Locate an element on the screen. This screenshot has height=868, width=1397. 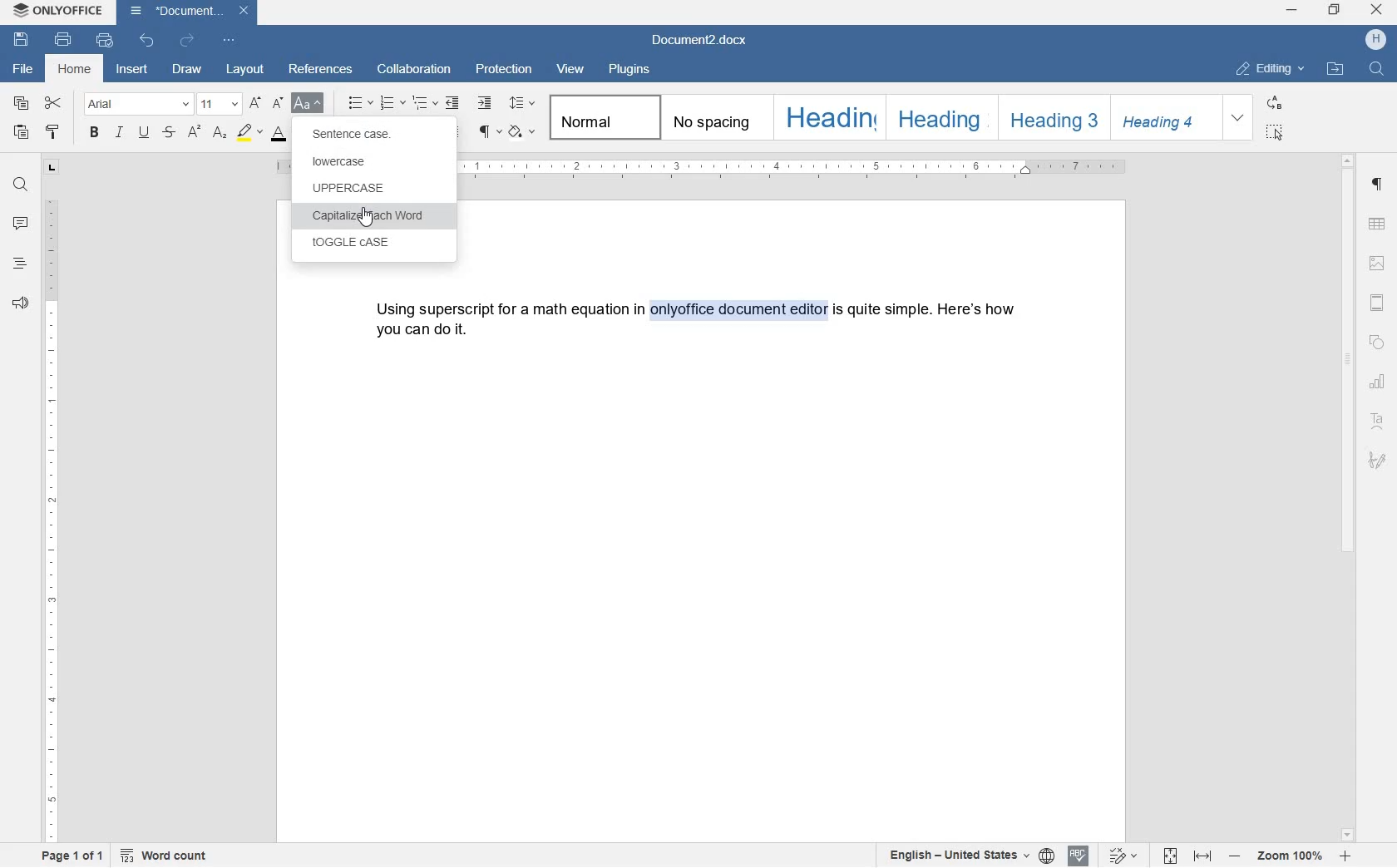
file is located at coordinates (21, 70).